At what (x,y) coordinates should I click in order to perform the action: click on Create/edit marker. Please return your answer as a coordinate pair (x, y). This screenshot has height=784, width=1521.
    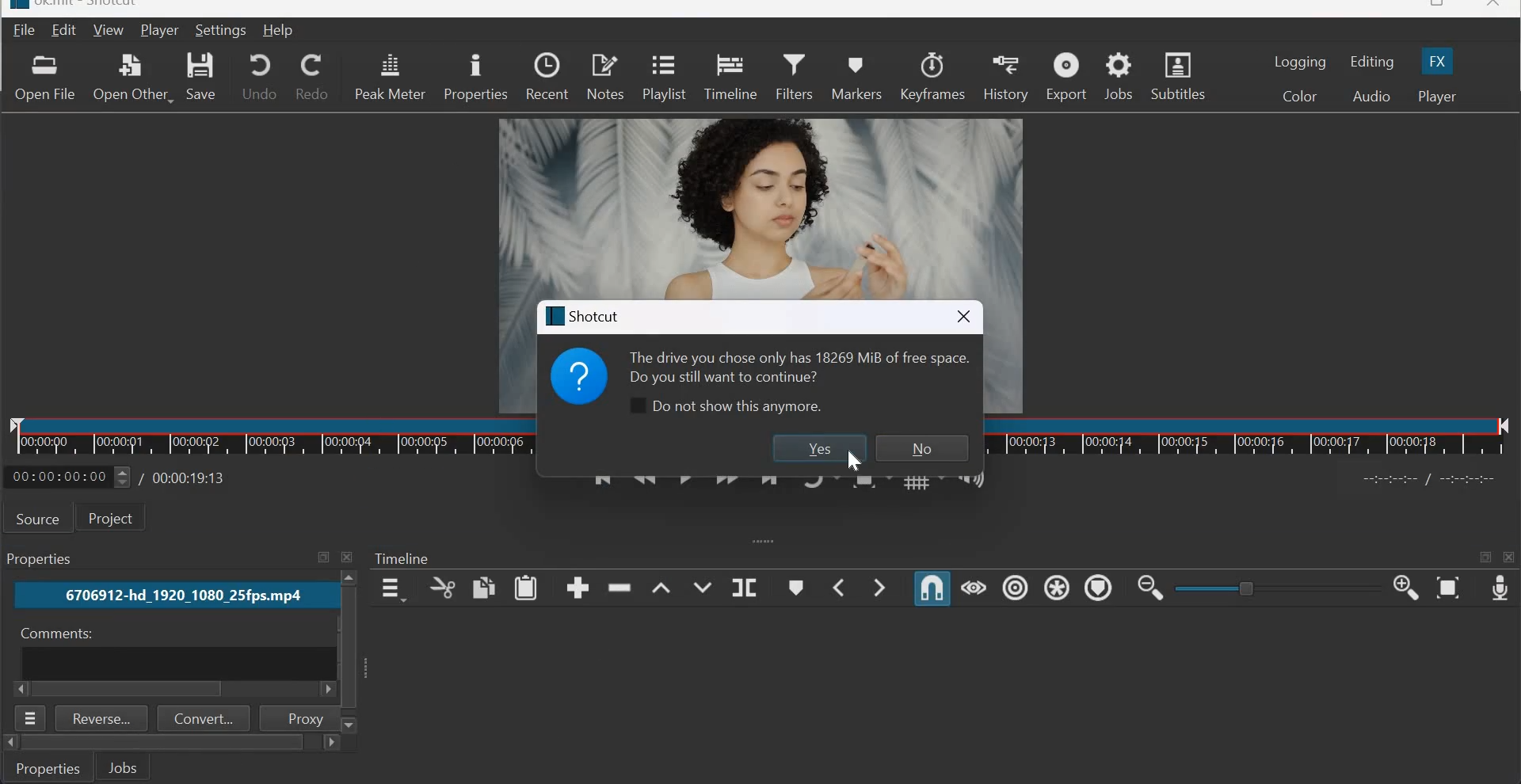
    Looking at the image, I should click on (798, 587).